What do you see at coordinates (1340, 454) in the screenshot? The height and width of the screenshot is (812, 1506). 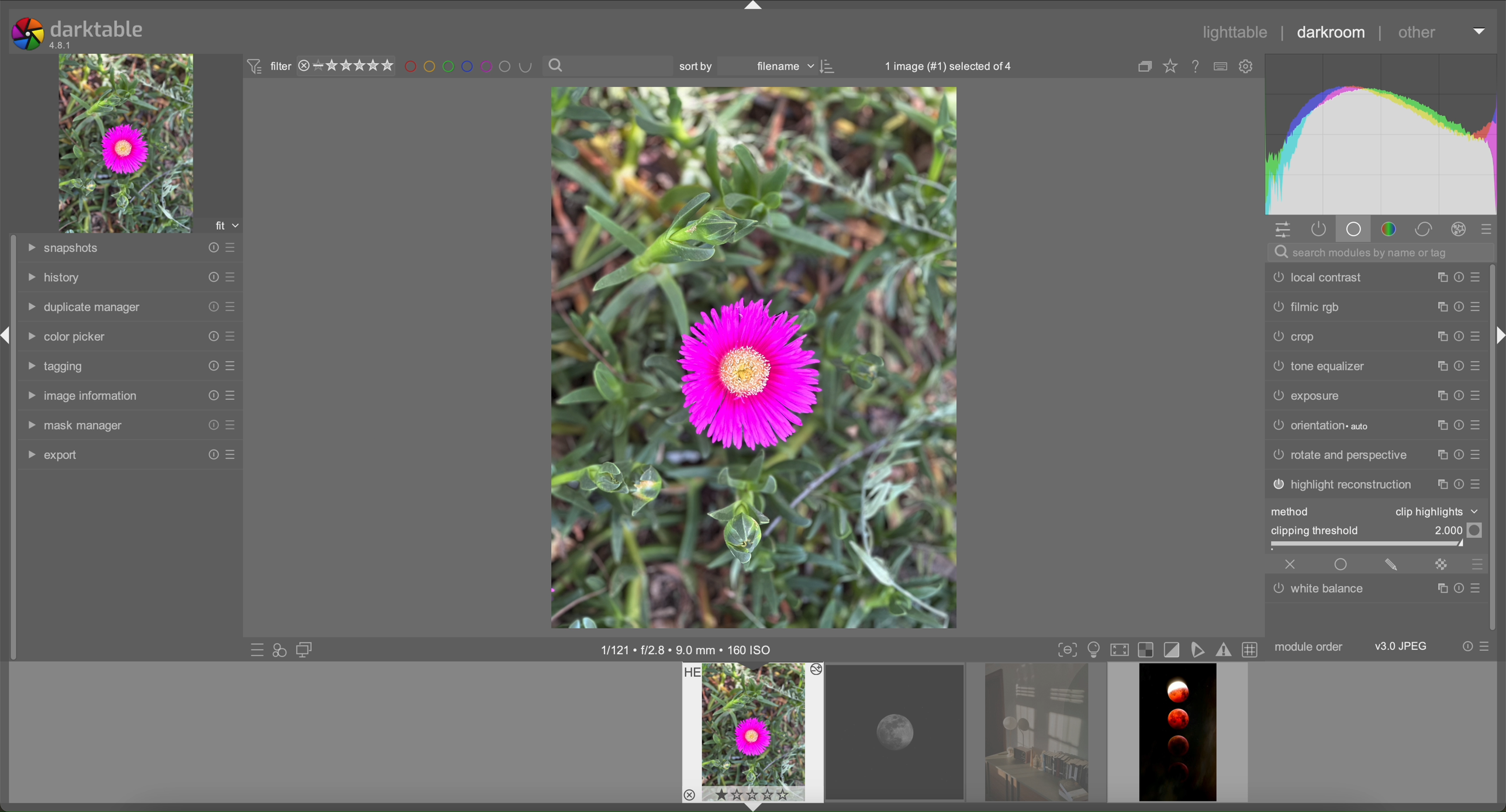 I see `rotate and perspective` at bounding box center [1340, 454].